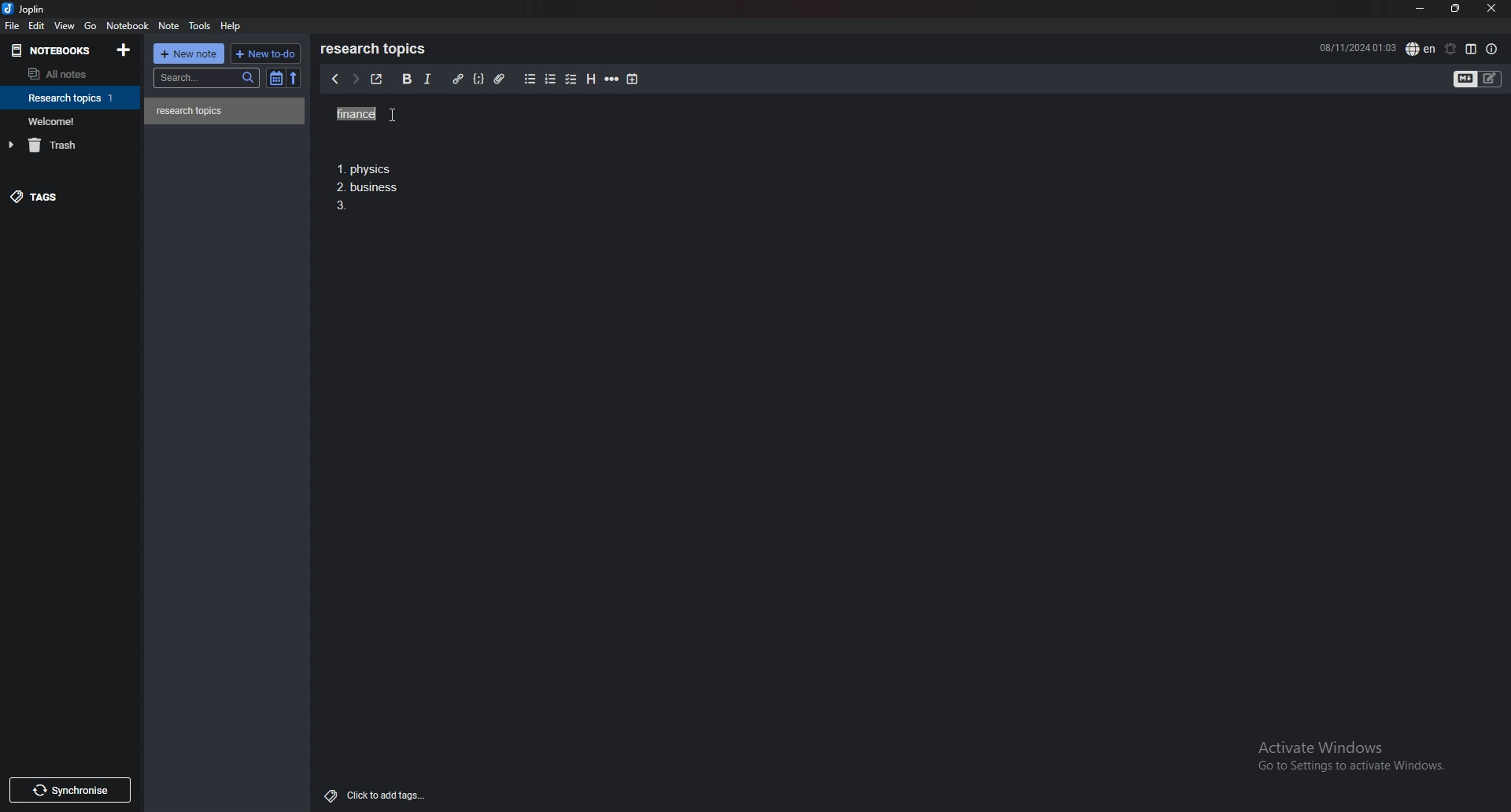 The height and width of the screenshot is (812, 1511). Describe the element at coordinates (1419, 9) in the screenshot. I see `minimize` at that location.